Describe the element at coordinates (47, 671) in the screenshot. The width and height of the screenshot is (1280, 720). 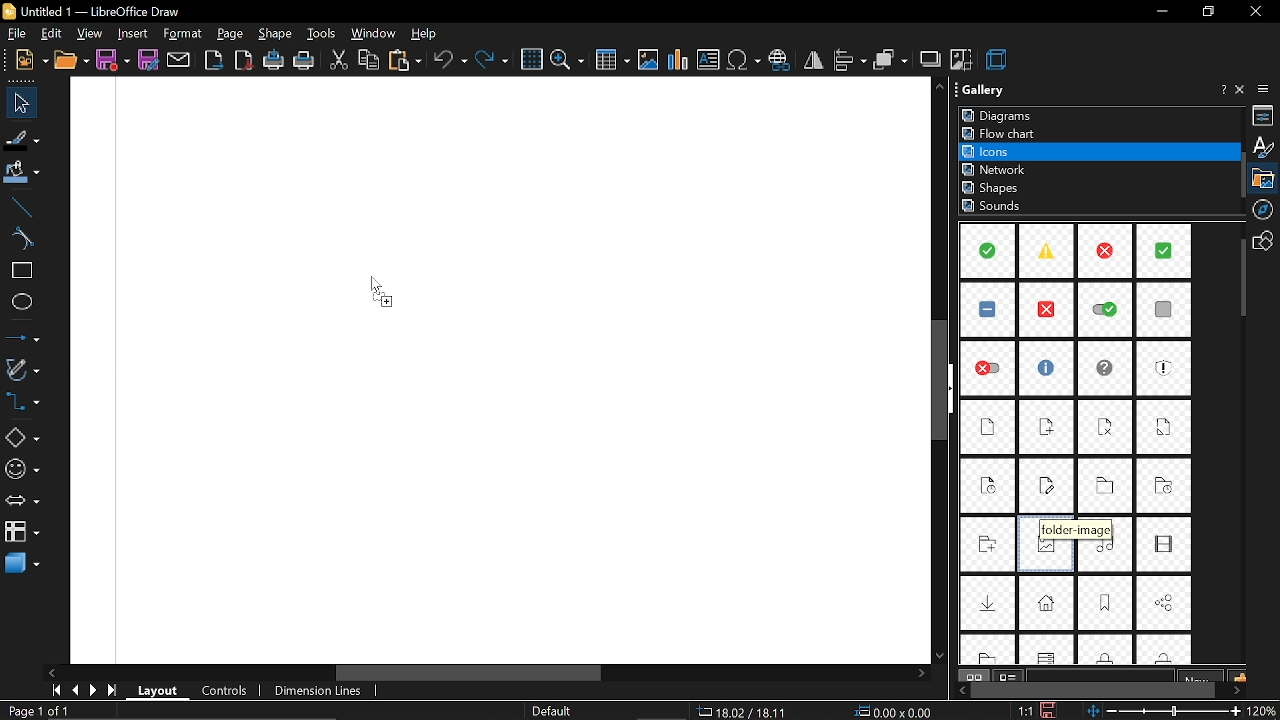
I see `scroll left` at that location.